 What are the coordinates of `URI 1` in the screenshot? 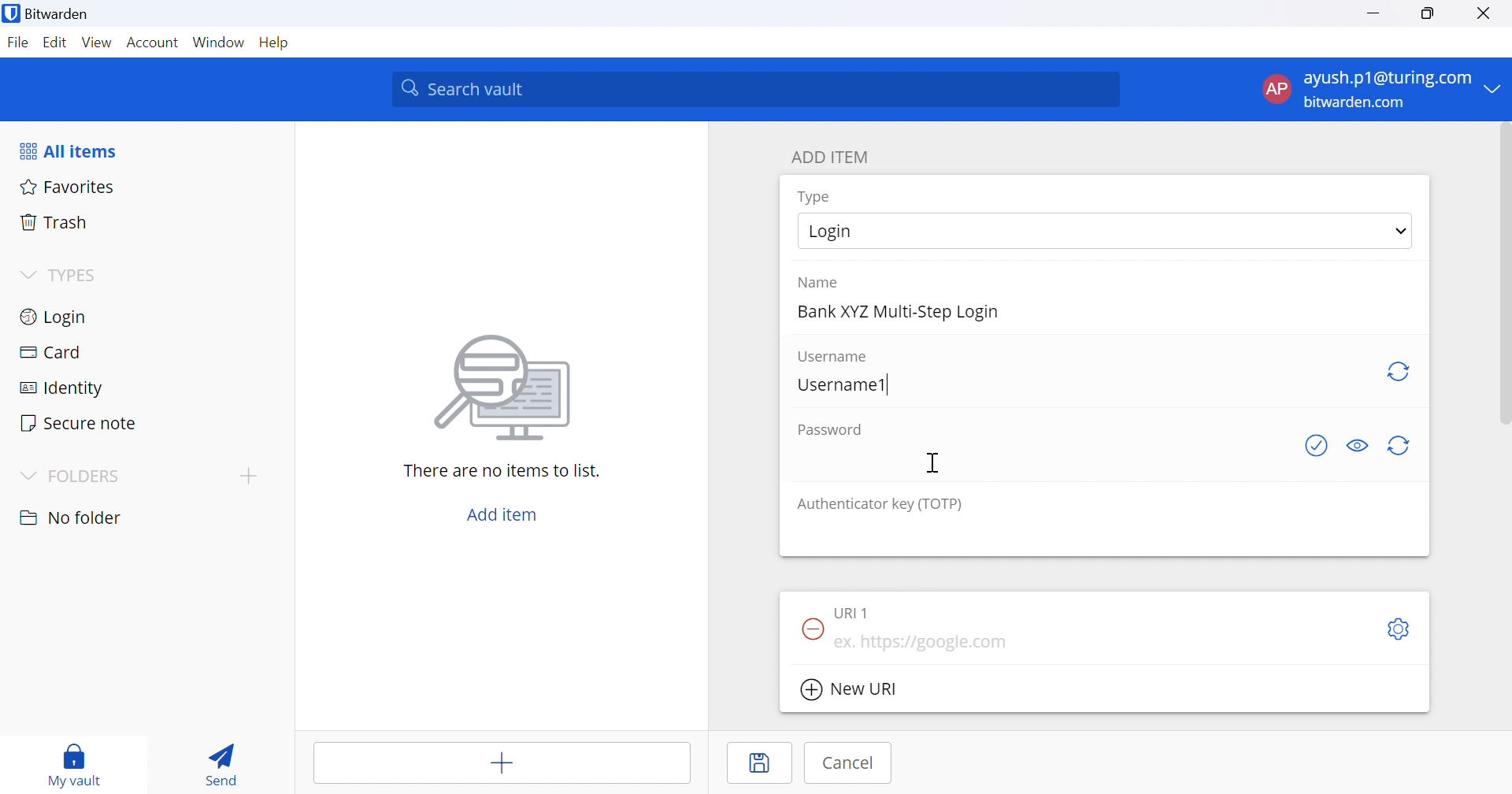 It's located at (854, 610).